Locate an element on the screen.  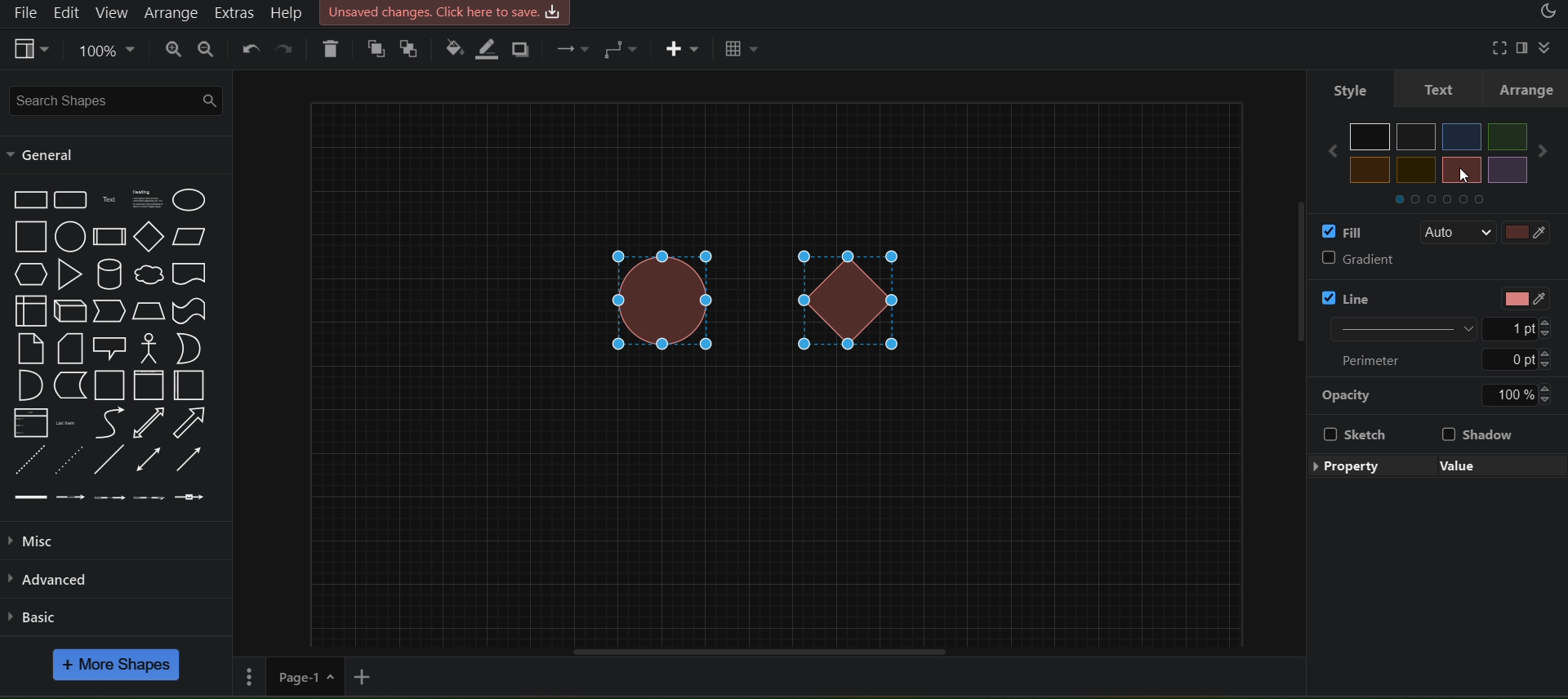
Note is located at coordinates (30, 348).